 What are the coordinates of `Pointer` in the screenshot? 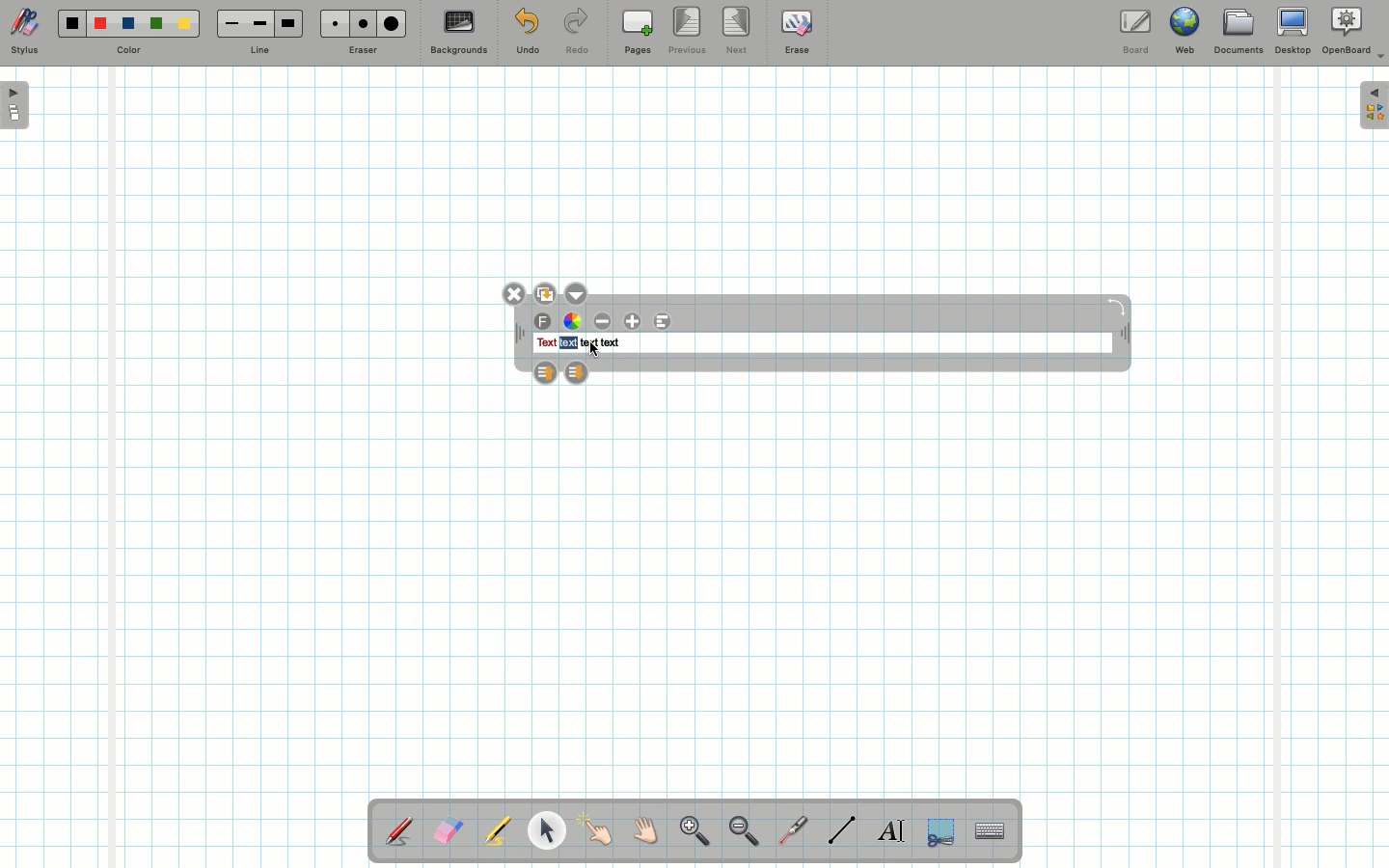 It's located at (546, 830).